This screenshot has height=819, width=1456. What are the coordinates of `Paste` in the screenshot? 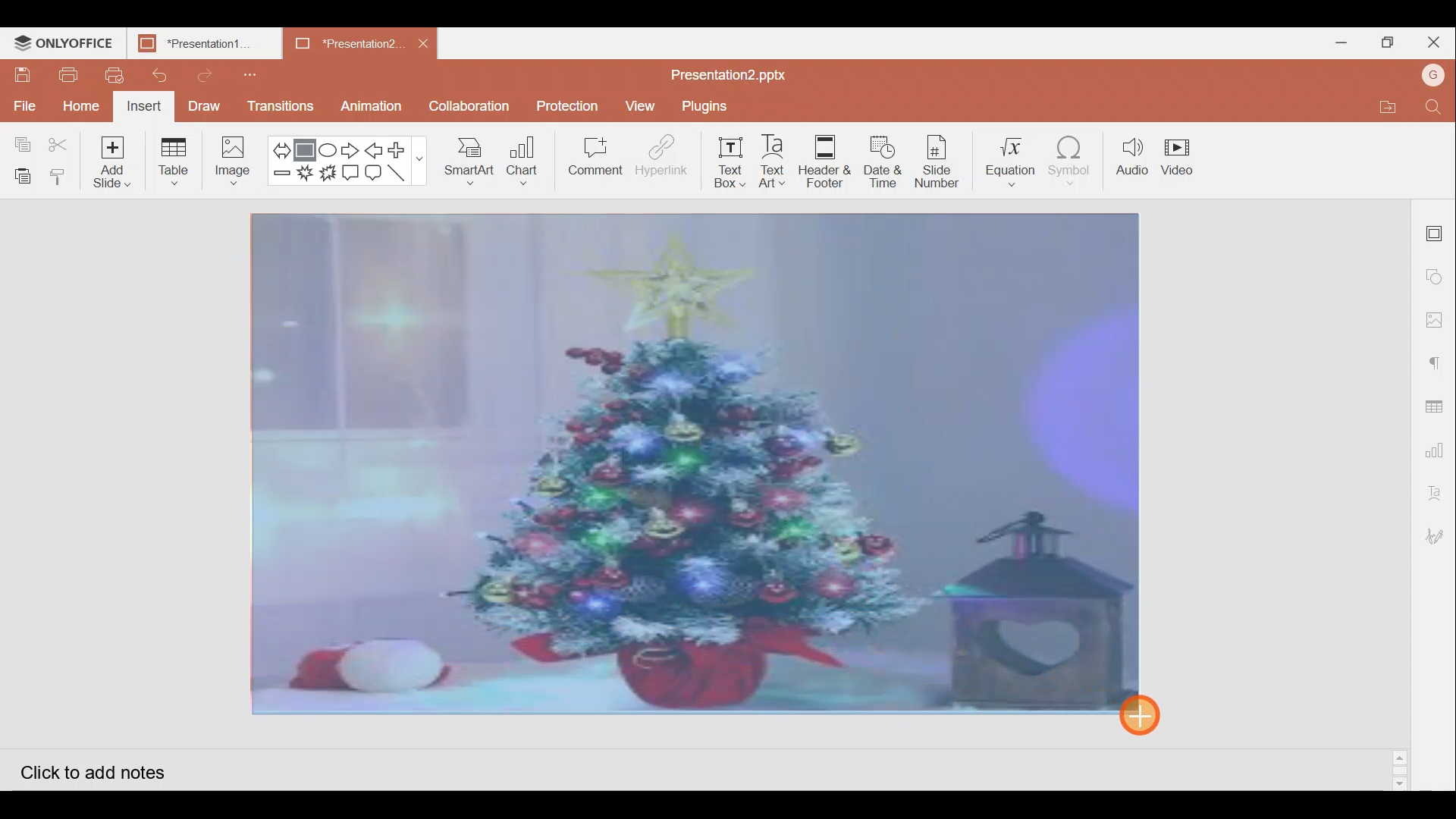 It's located at (21, 173).